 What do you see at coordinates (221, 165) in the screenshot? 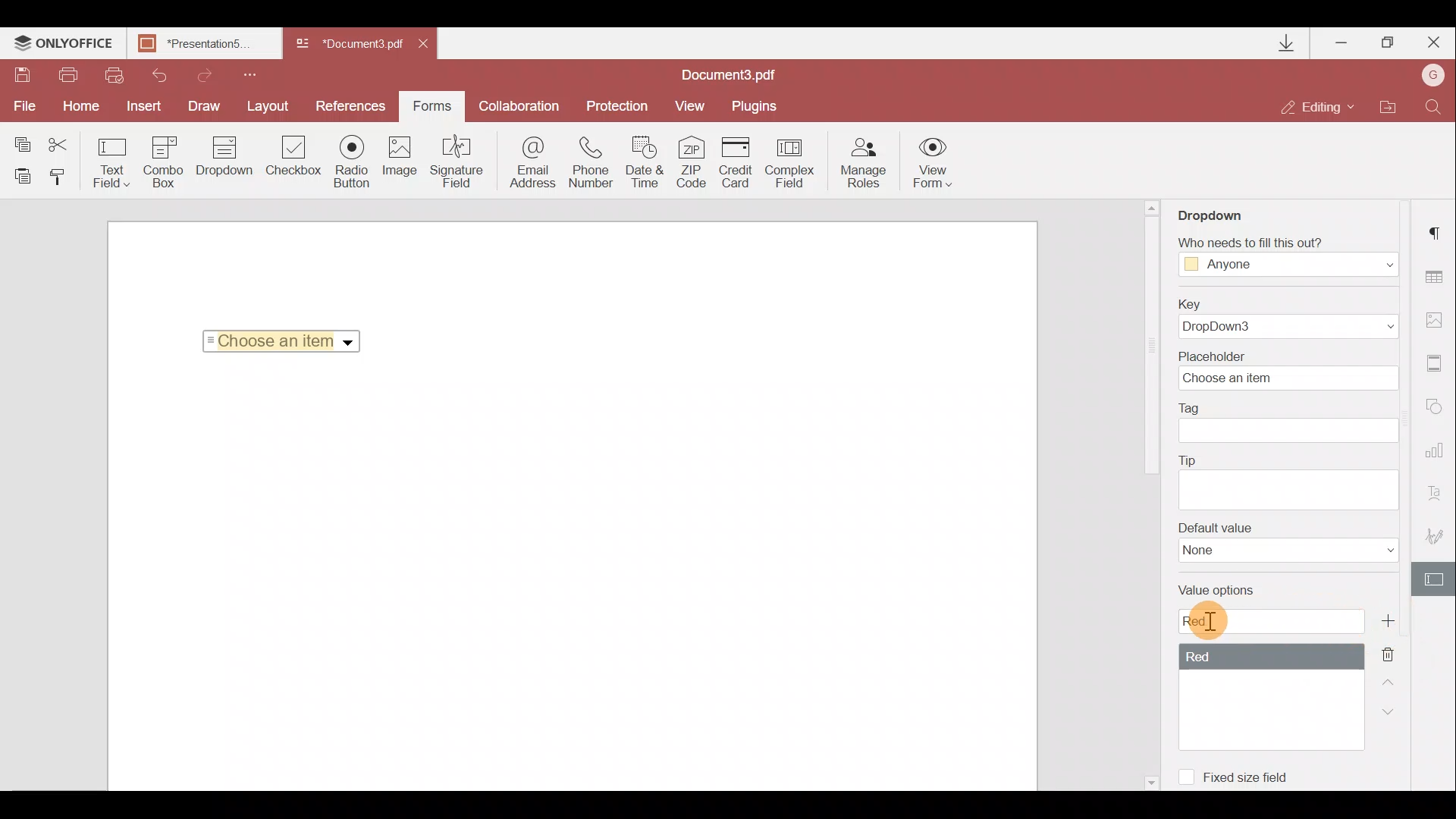
I see `Dropdown` at bounding box center [221, 165].